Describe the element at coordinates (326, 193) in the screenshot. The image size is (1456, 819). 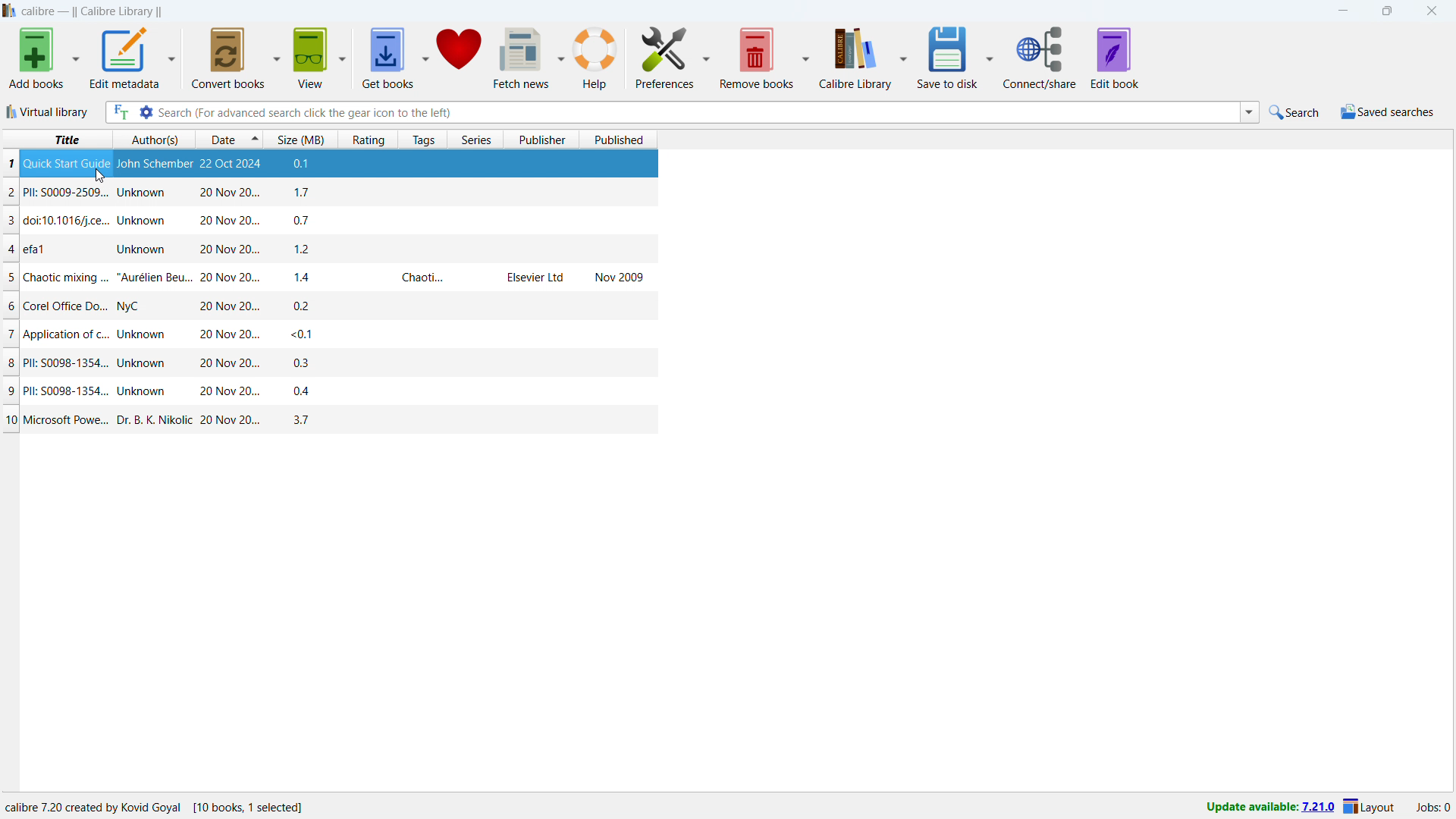
I see `one book entry` at that location.